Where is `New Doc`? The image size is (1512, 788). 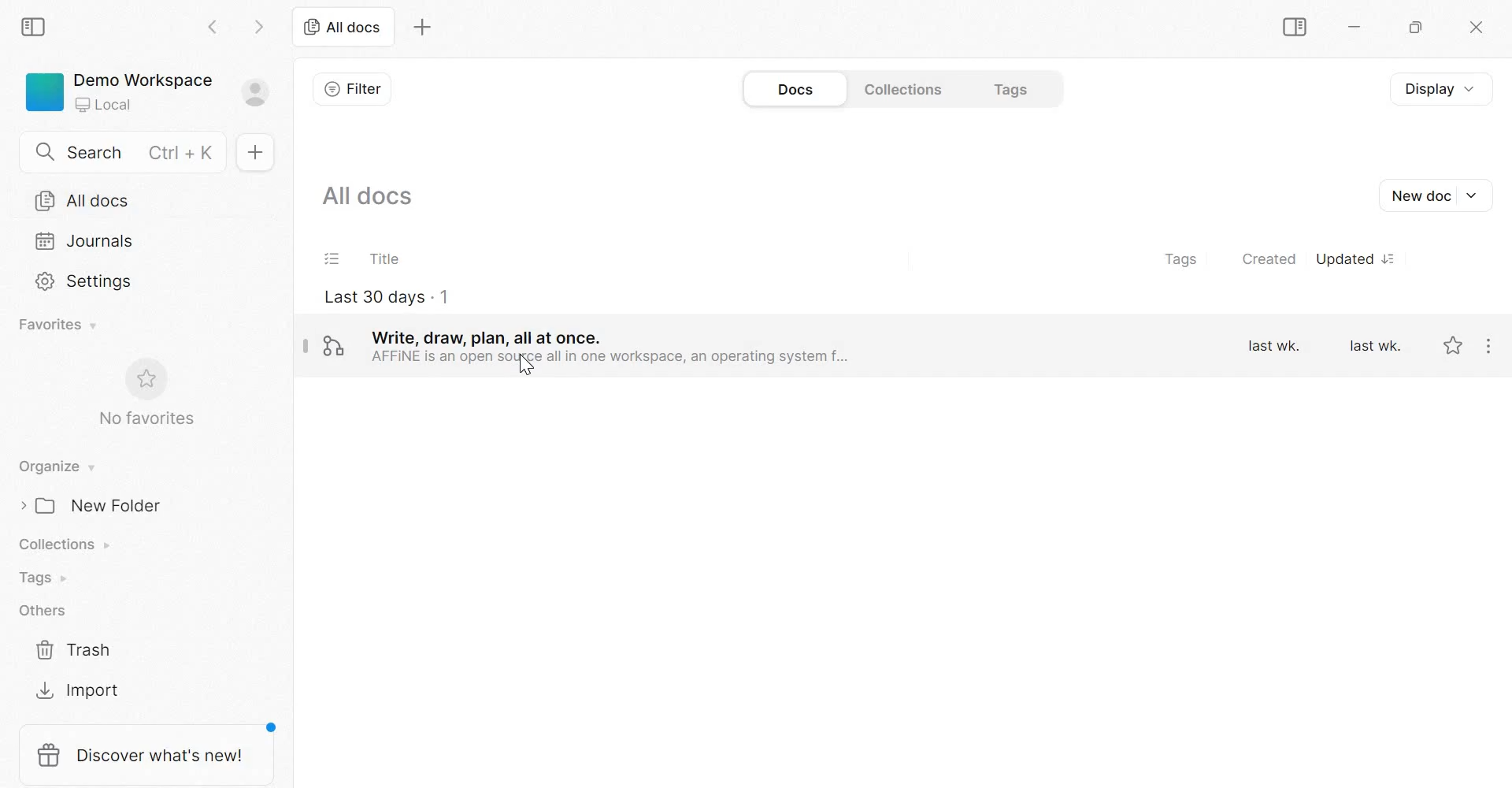 New Doc is located at coordinates (1436, 196).